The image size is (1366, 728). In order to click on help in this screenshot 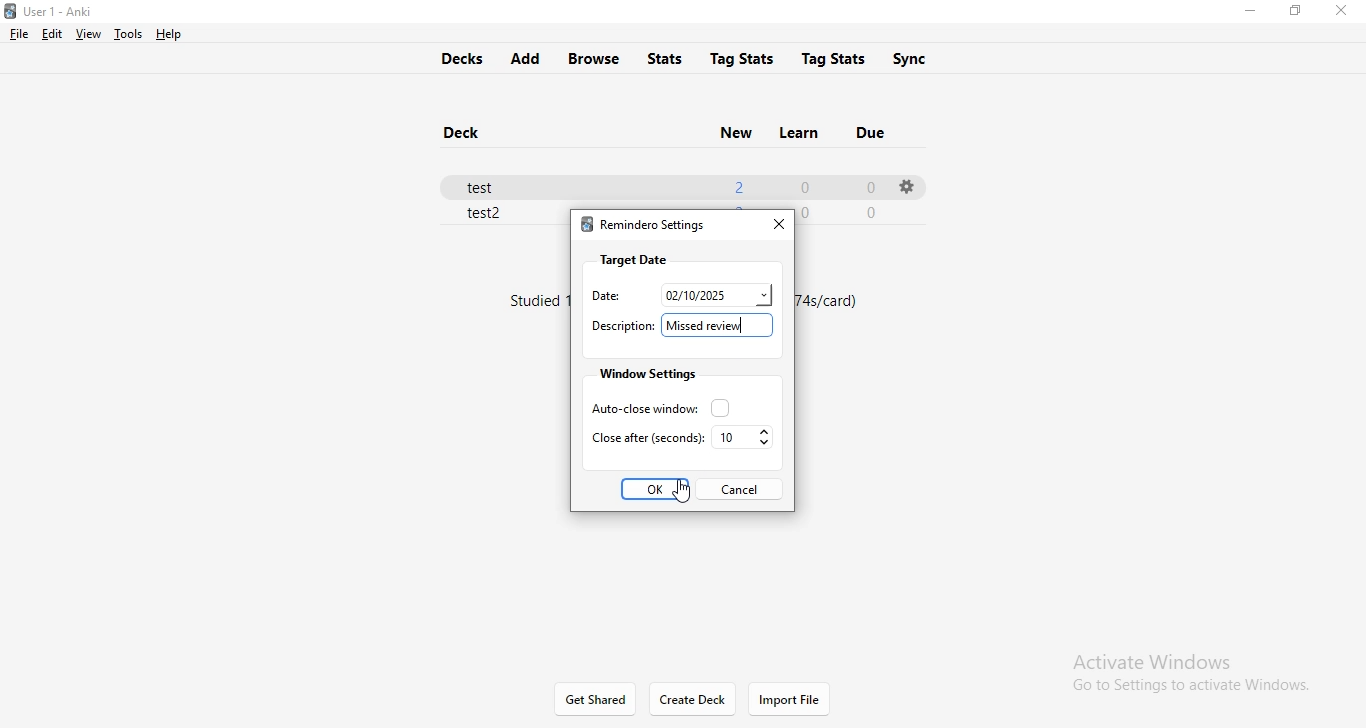, I will do `click(166, 34)`.